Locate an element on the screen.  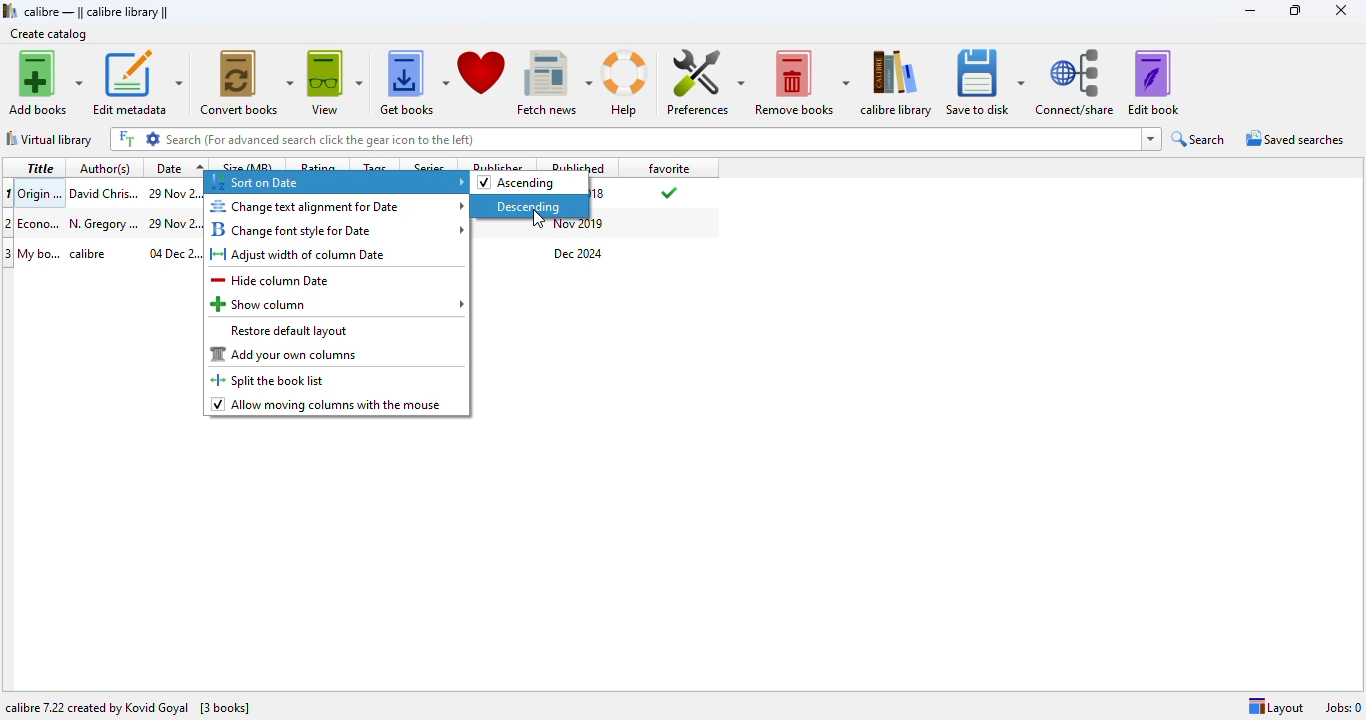
edit book is located at coordinates (1153, 82).